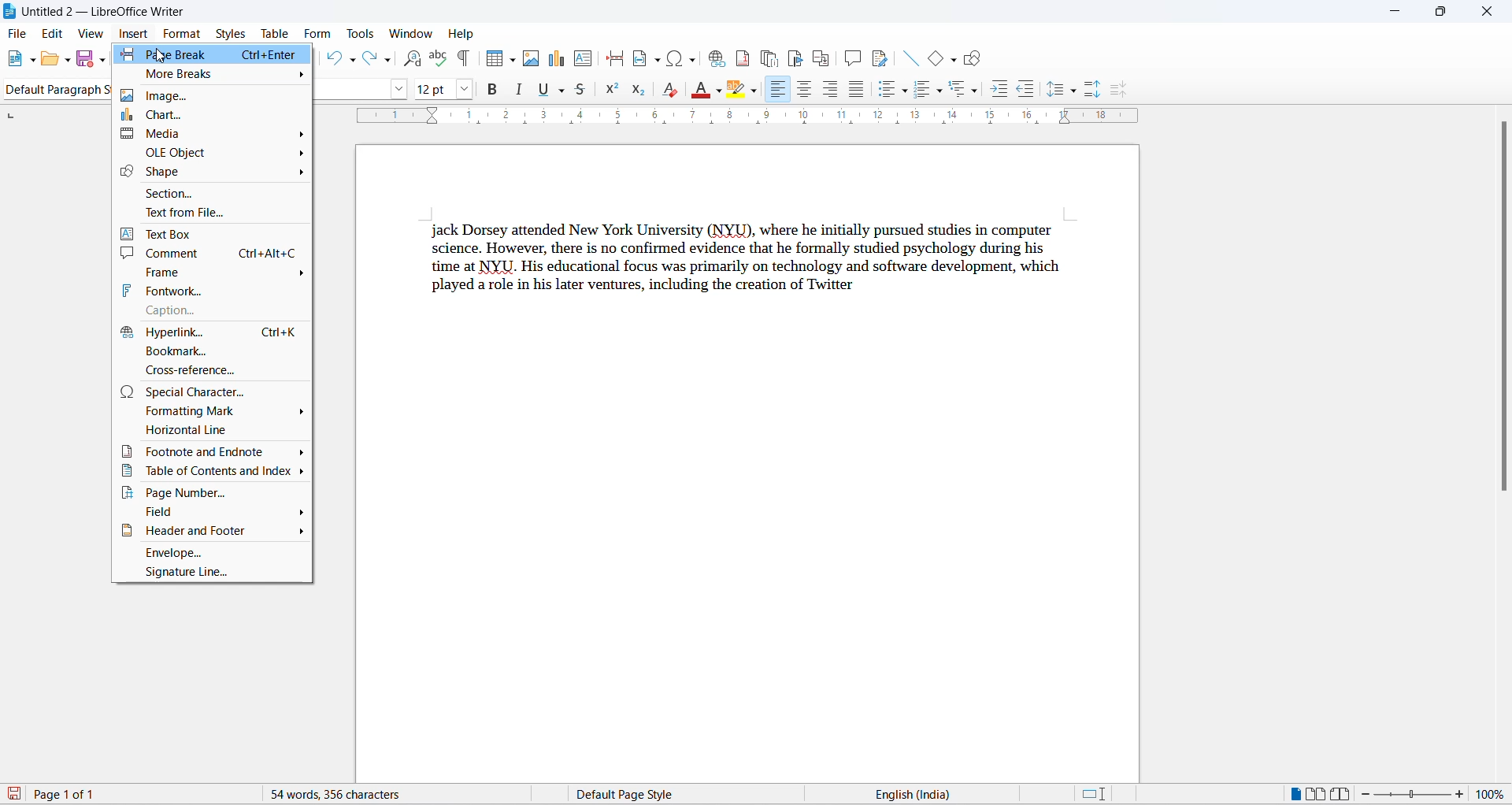 Image resolution: width=1512 pixels, height=805 pixels. Describe the element at coordinates (821, 57) in the screenshot. I see `insert cross-reference` at that location.